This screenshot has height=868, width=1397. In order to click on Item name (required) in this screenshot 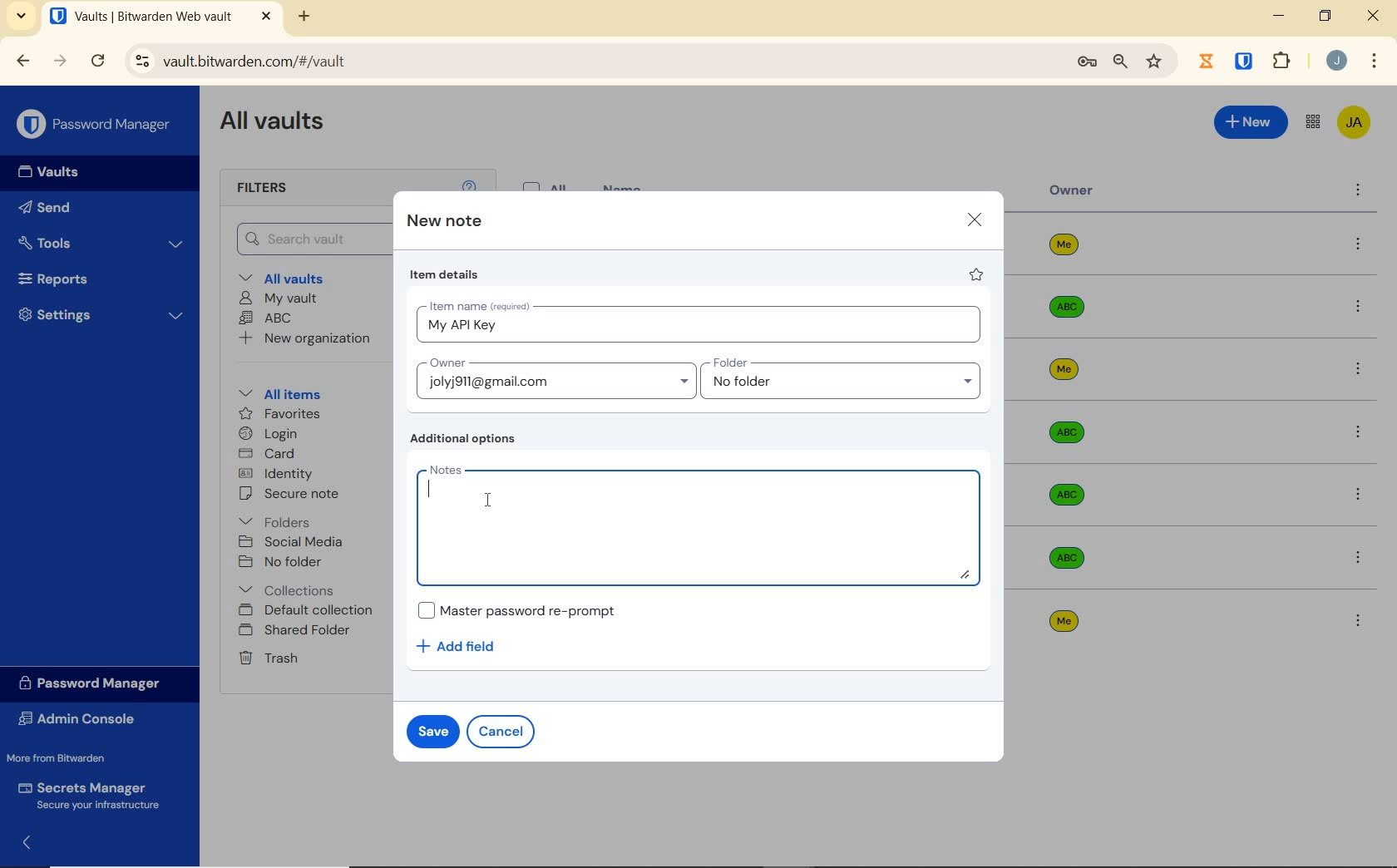, I will do `click(478, 303)`.